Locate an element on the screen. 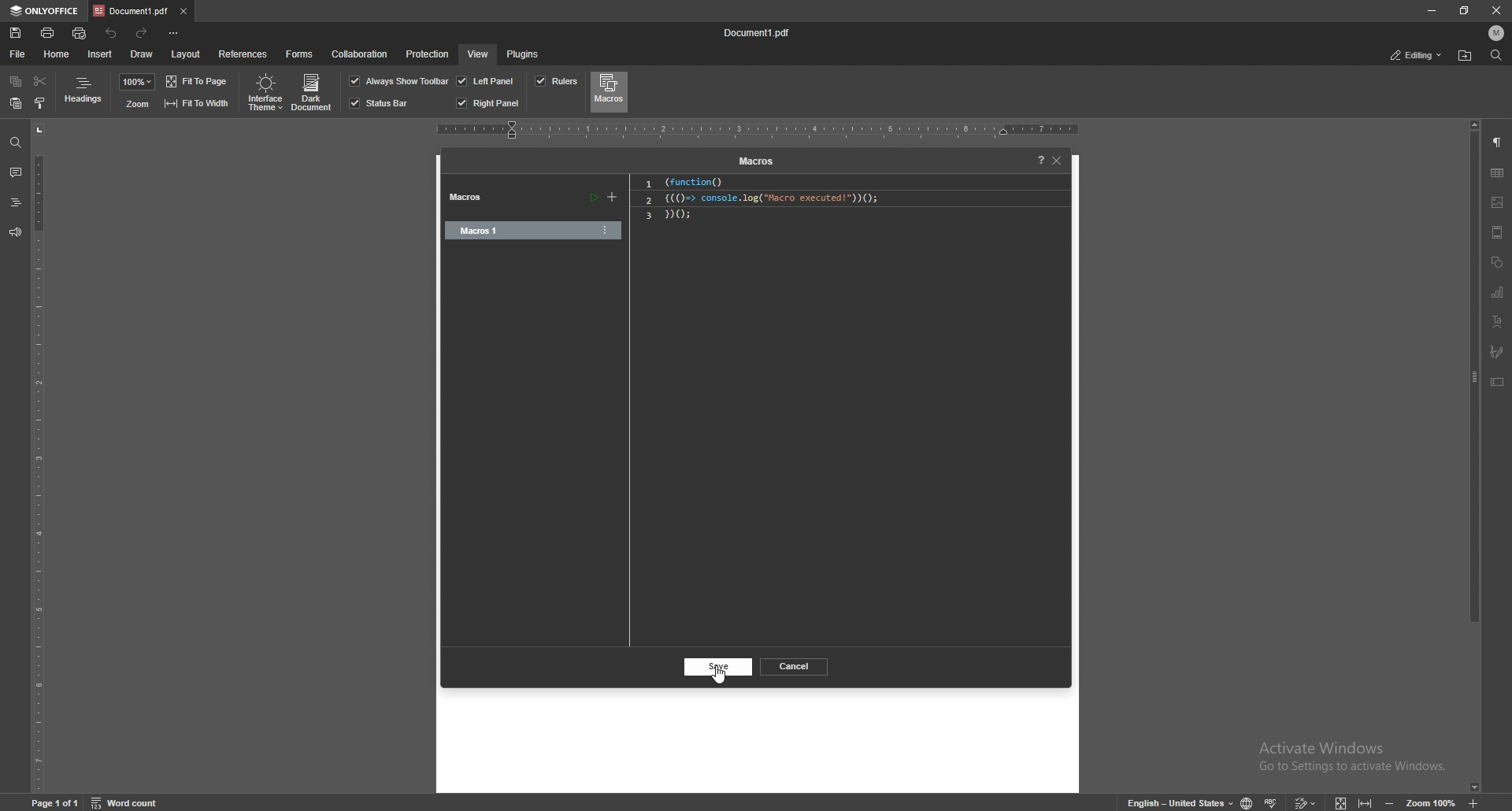 The image size is (1512, 811). draw is located at coordinates (143, 53).